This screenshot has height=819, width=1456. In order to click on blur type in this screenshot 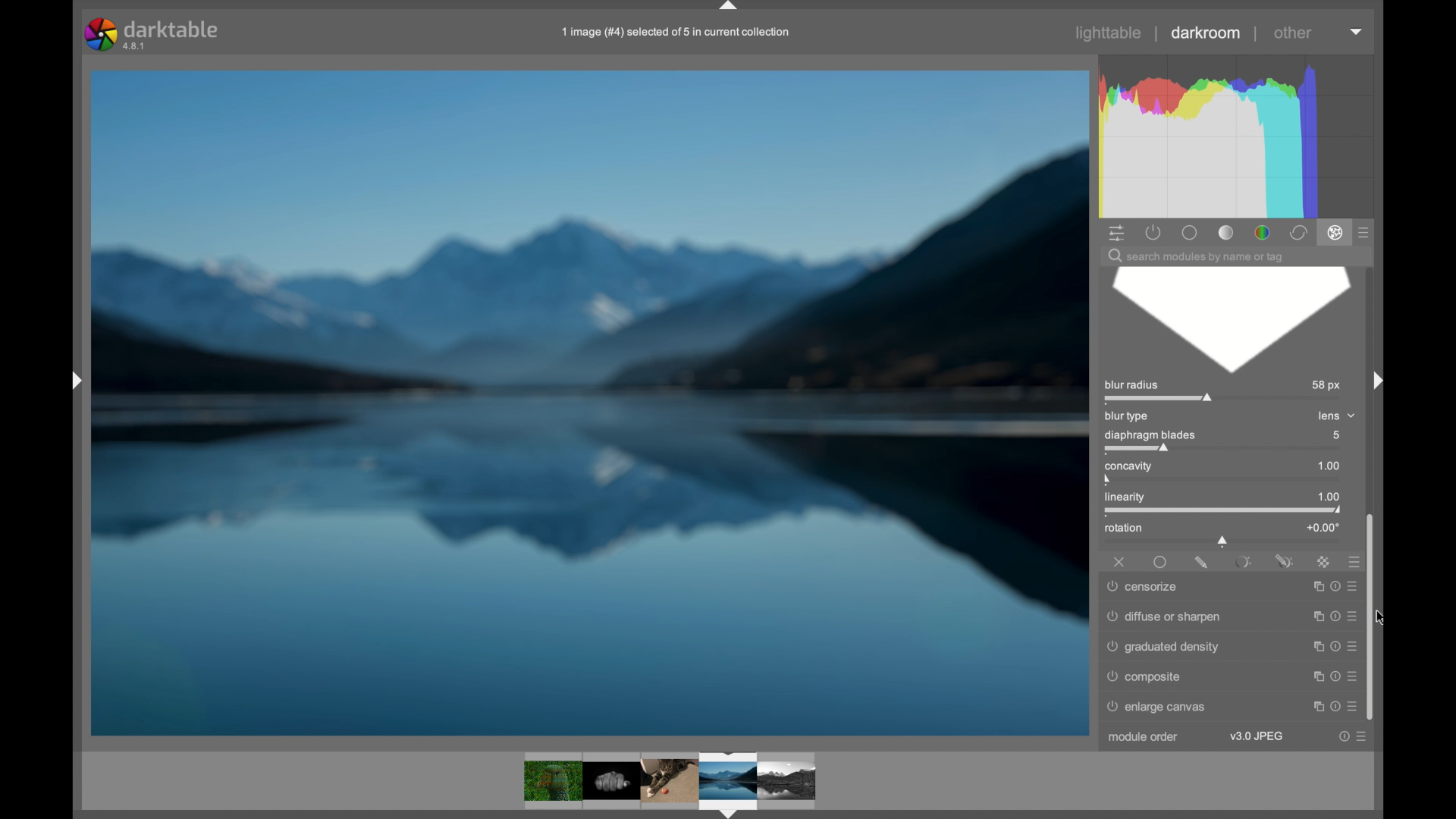, I will do `click(1128, 416)`.